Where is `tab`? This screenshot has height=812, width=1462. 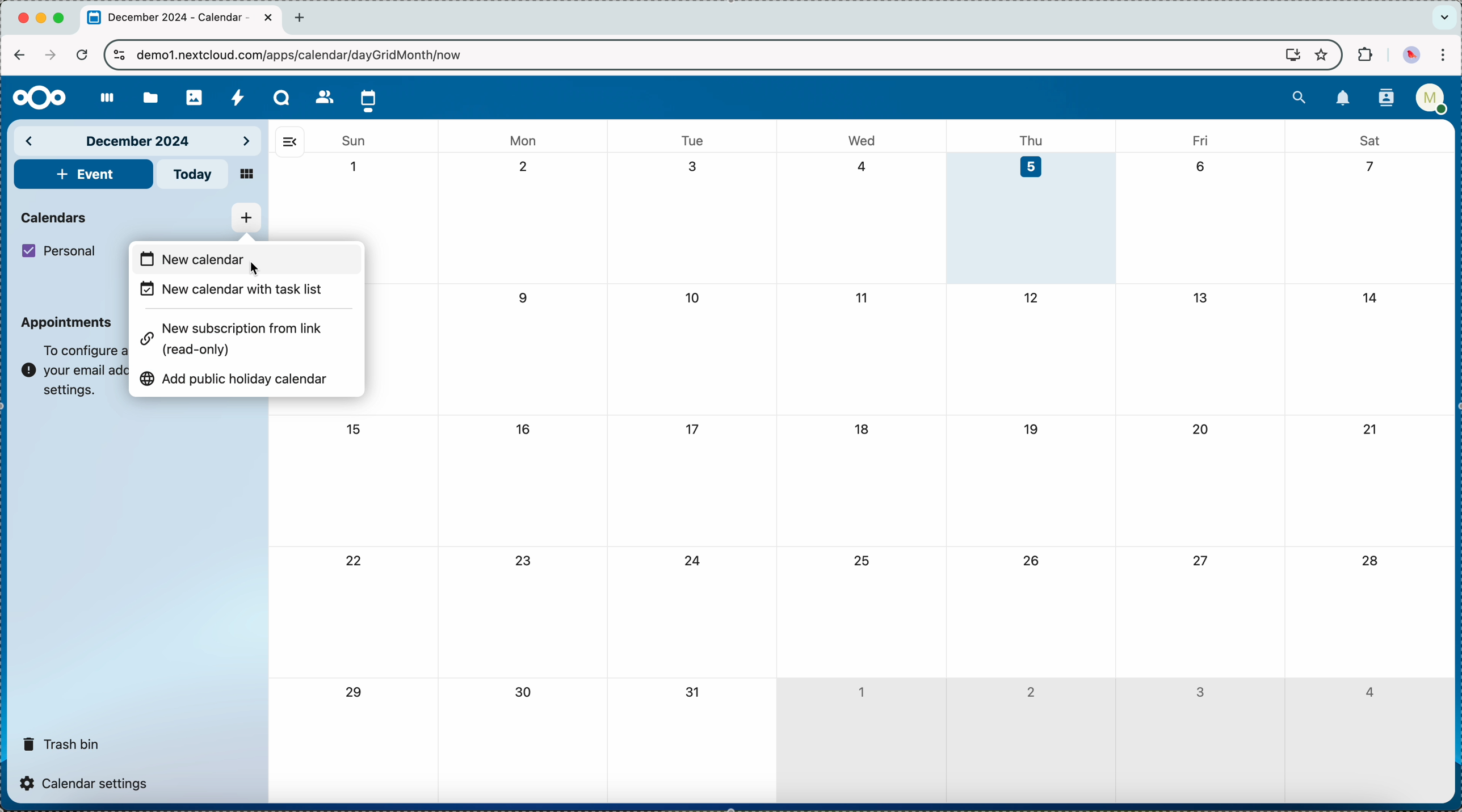 tab is located at coordinates (182, 19).